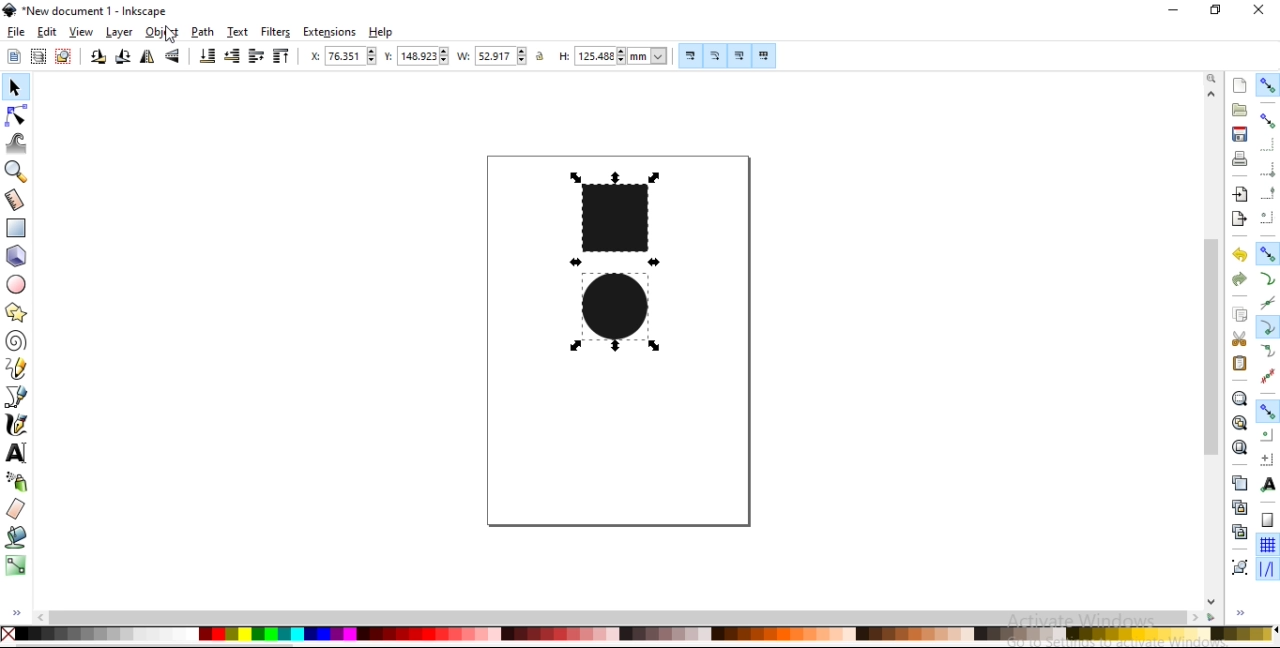  I want to click on help, so click(381, 32).